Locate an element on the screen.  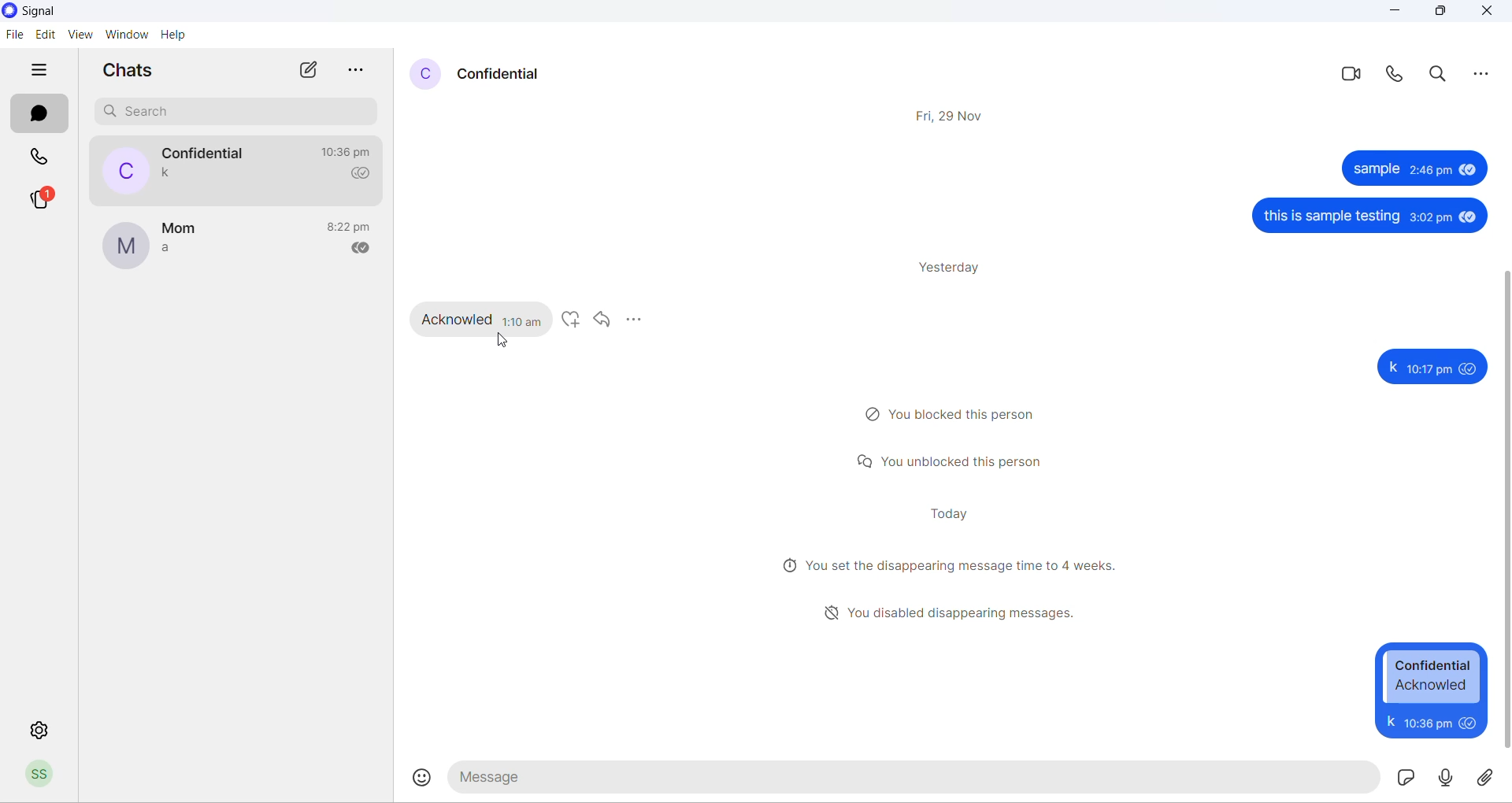
profile picture is located at coordinates (122, 170).